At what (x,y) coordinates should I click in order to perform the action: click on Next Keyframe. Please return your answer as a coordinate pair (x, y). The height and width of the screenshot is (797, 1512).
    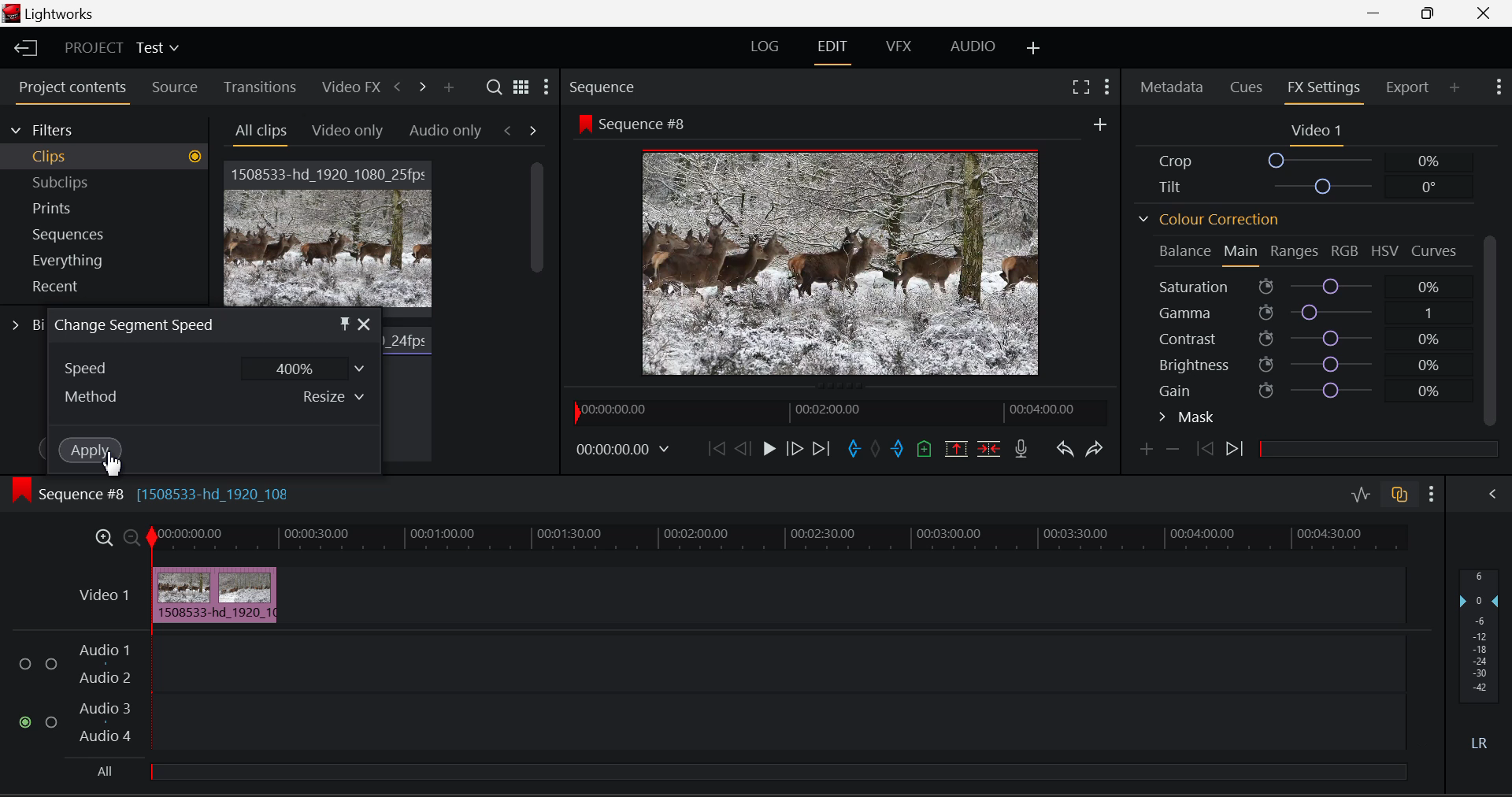
    Looking at the image, I should click on (1236, 449).